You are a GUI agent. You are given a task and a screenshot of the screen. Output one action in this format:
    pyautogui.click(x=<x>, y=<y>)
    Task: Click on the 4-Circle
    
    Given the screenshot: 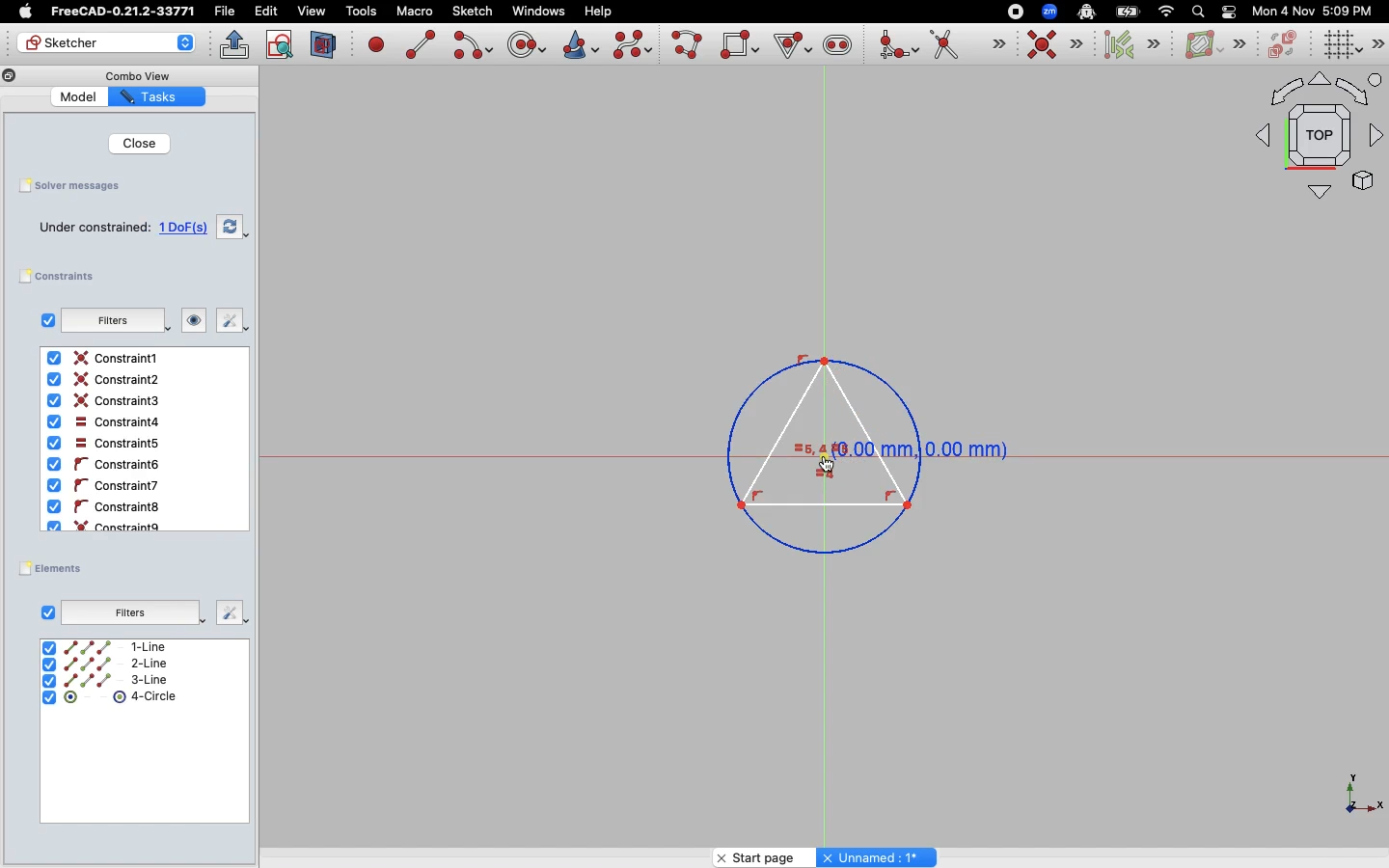 What is the action you would take?
    pyautogui.click(x=109, y=700)
    